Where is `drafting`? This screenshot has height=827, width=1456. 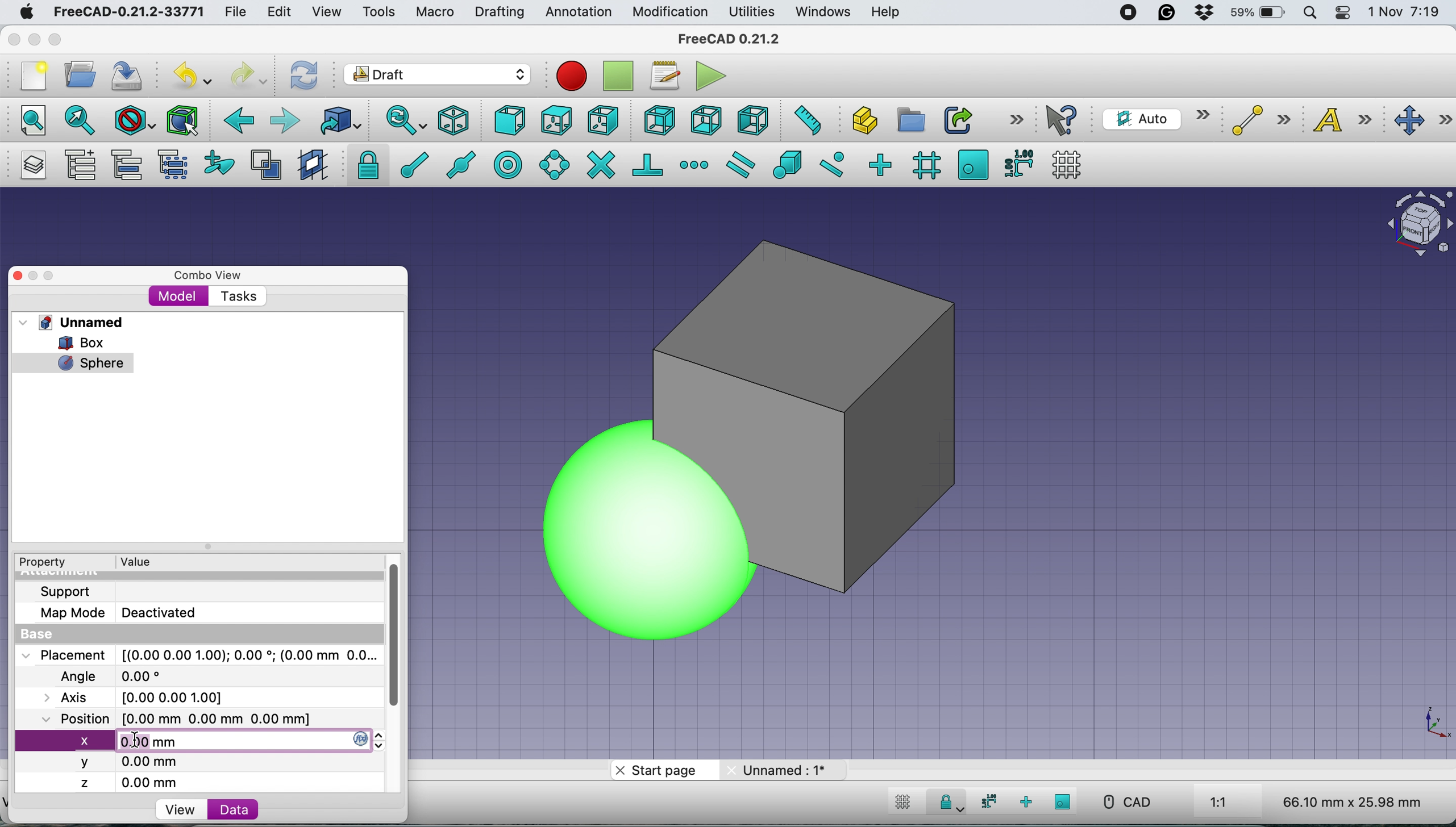 drafting is located at coordinates (499, 13).